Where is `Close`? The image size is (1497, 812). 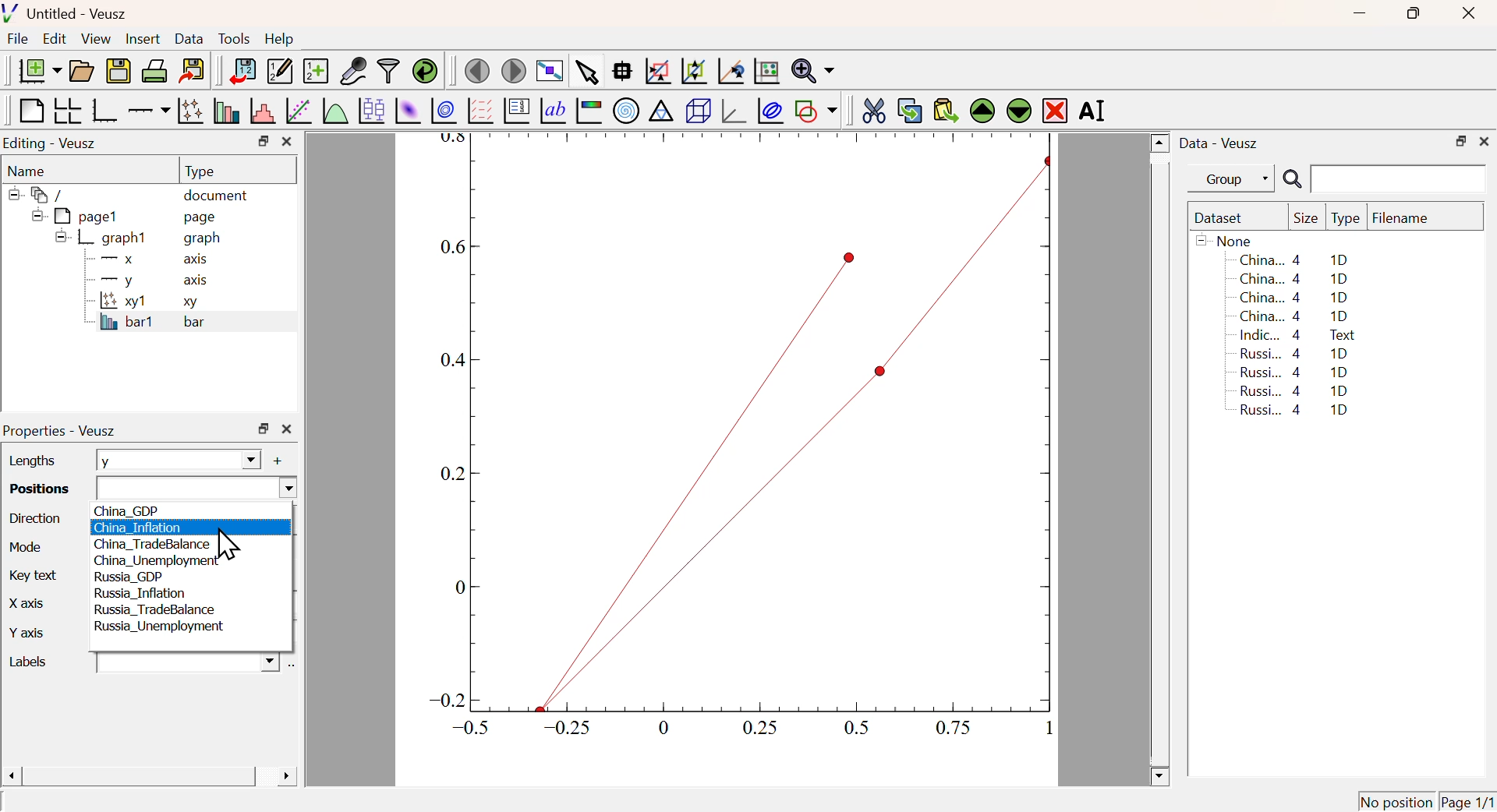
Close is located at coordinates (287, 142).